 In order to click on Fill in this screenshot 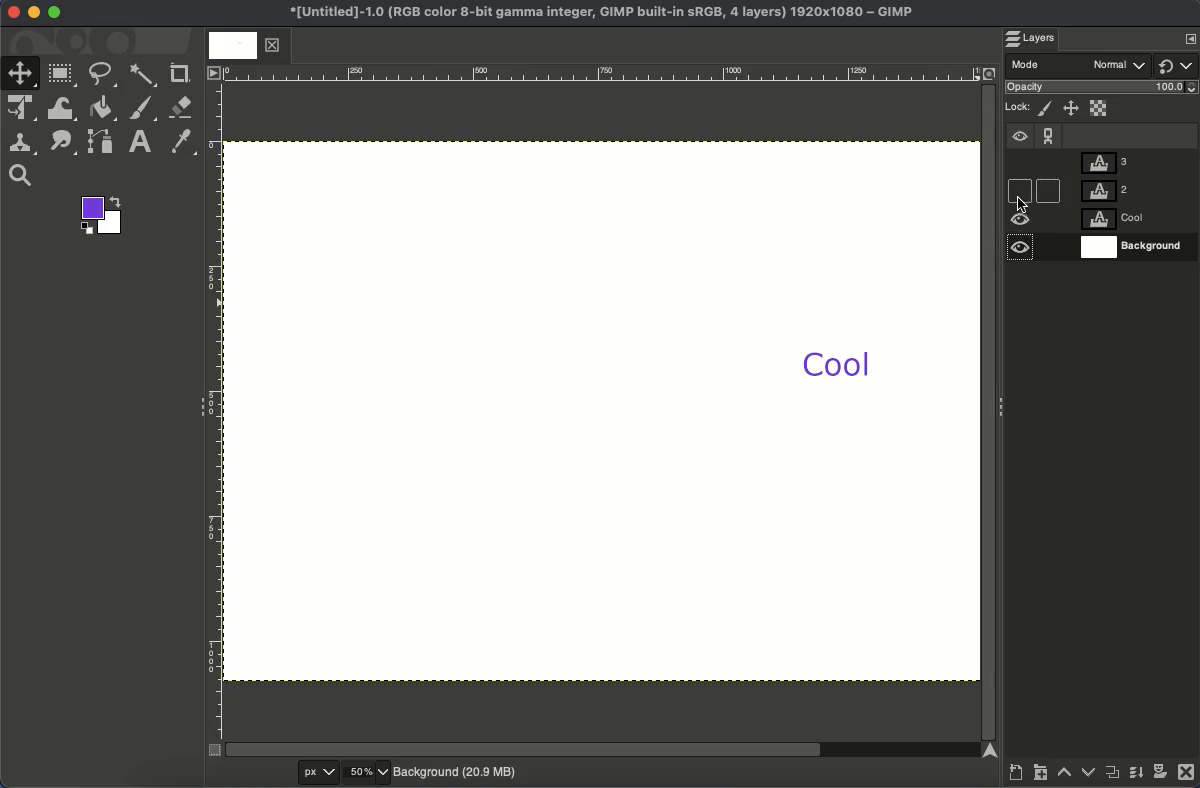, I will do `click(103, 108)`.